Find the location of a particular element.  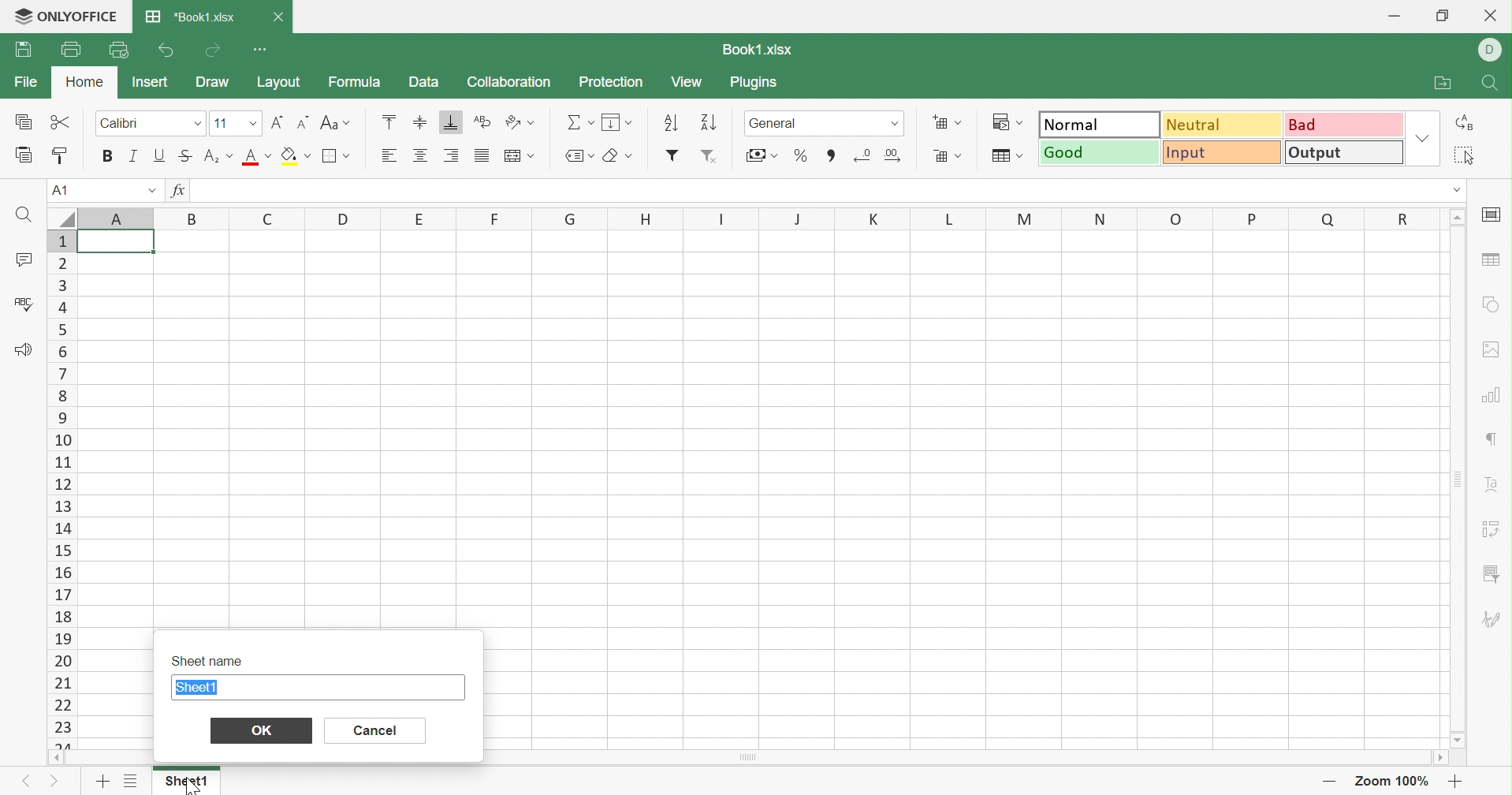

Align Top is located at coordinates (389, 120).